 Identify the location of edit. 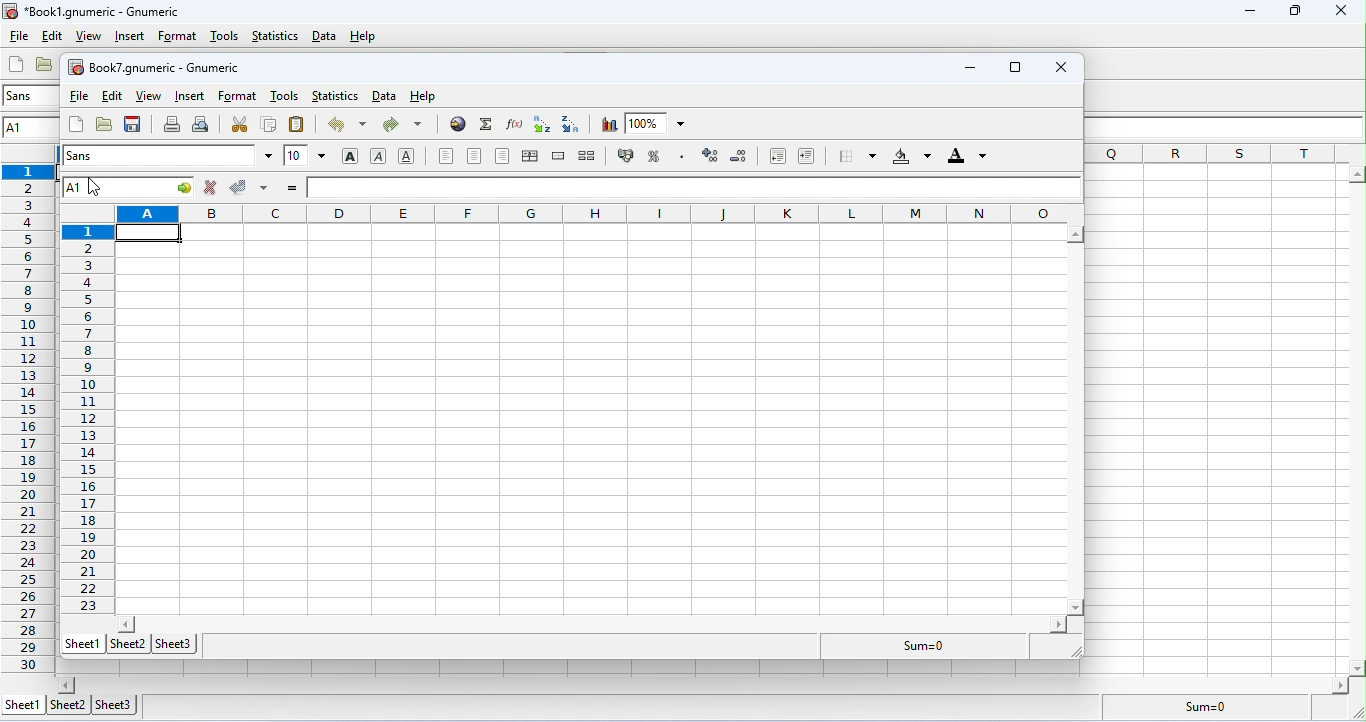
(52, 35).